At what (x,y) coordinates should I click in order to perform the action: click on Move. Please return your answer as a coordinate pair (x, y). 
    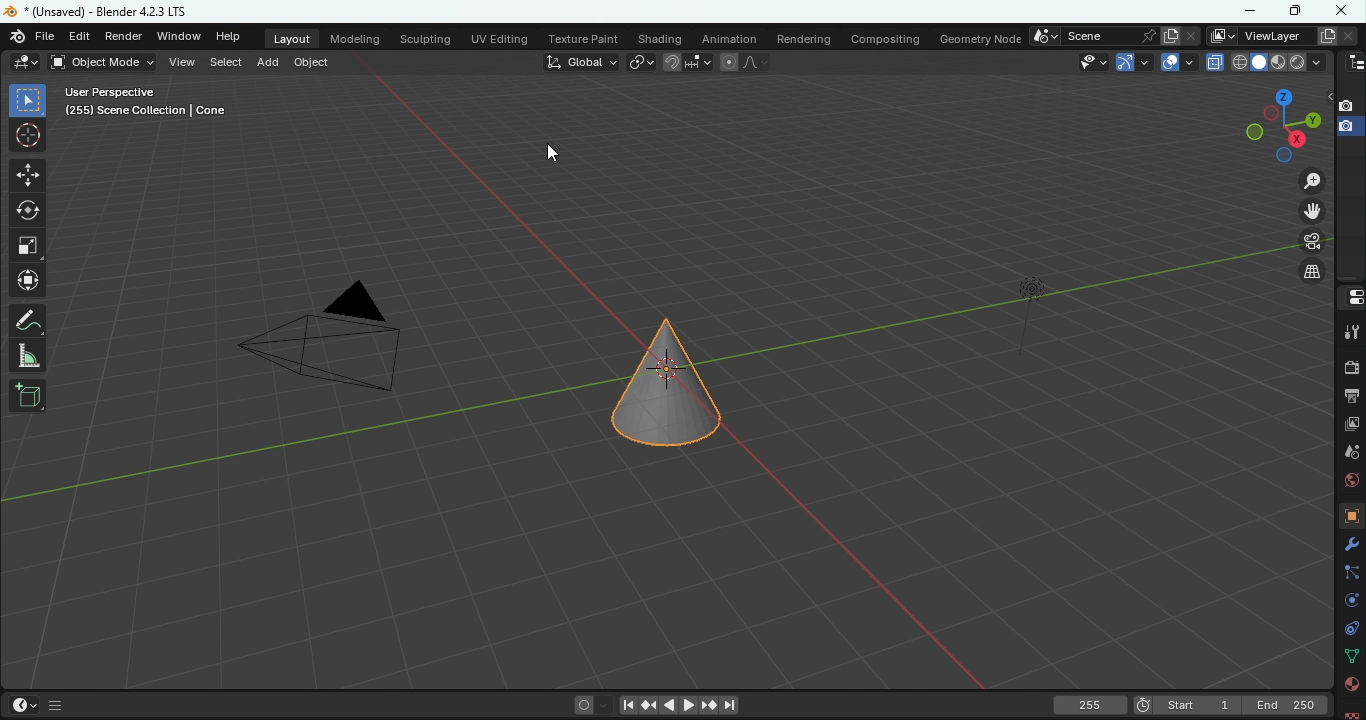
    Looking at the image, I should click on (29, 177).